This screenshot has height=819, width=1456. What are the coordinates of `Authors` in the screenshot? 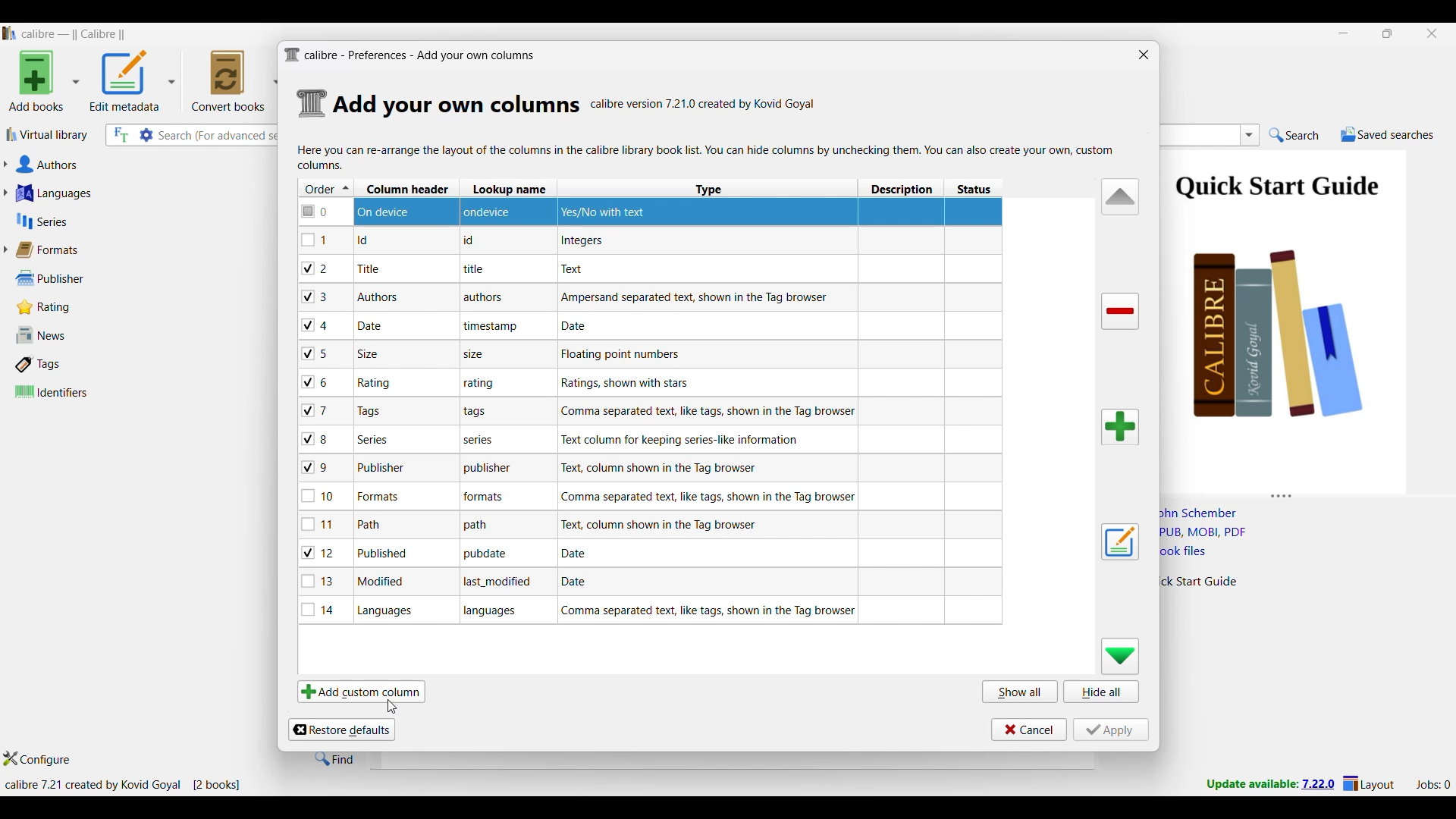 It's located at (120, 165).